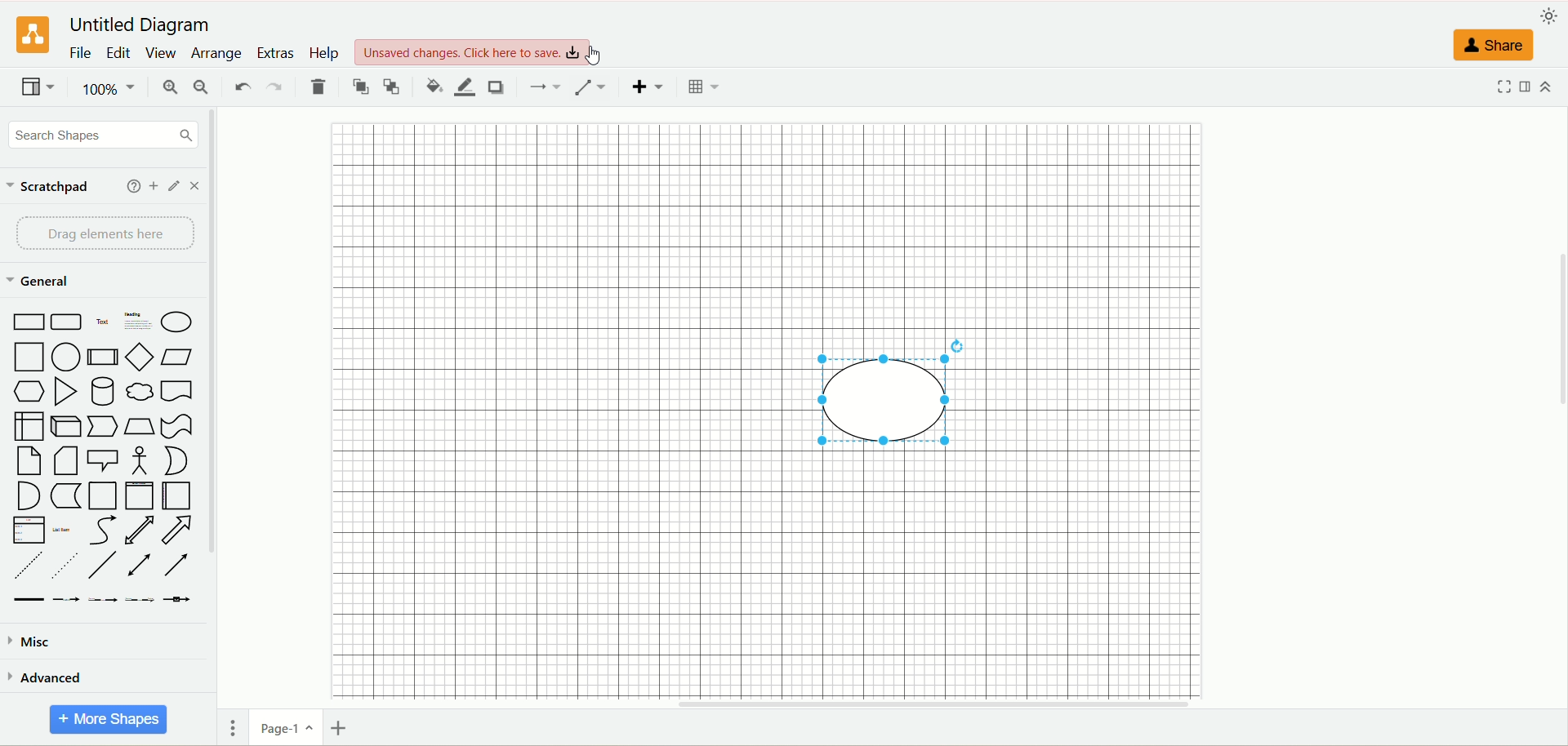 The image size is (1568, 746). I want to click on shadow, so click(497, 87).